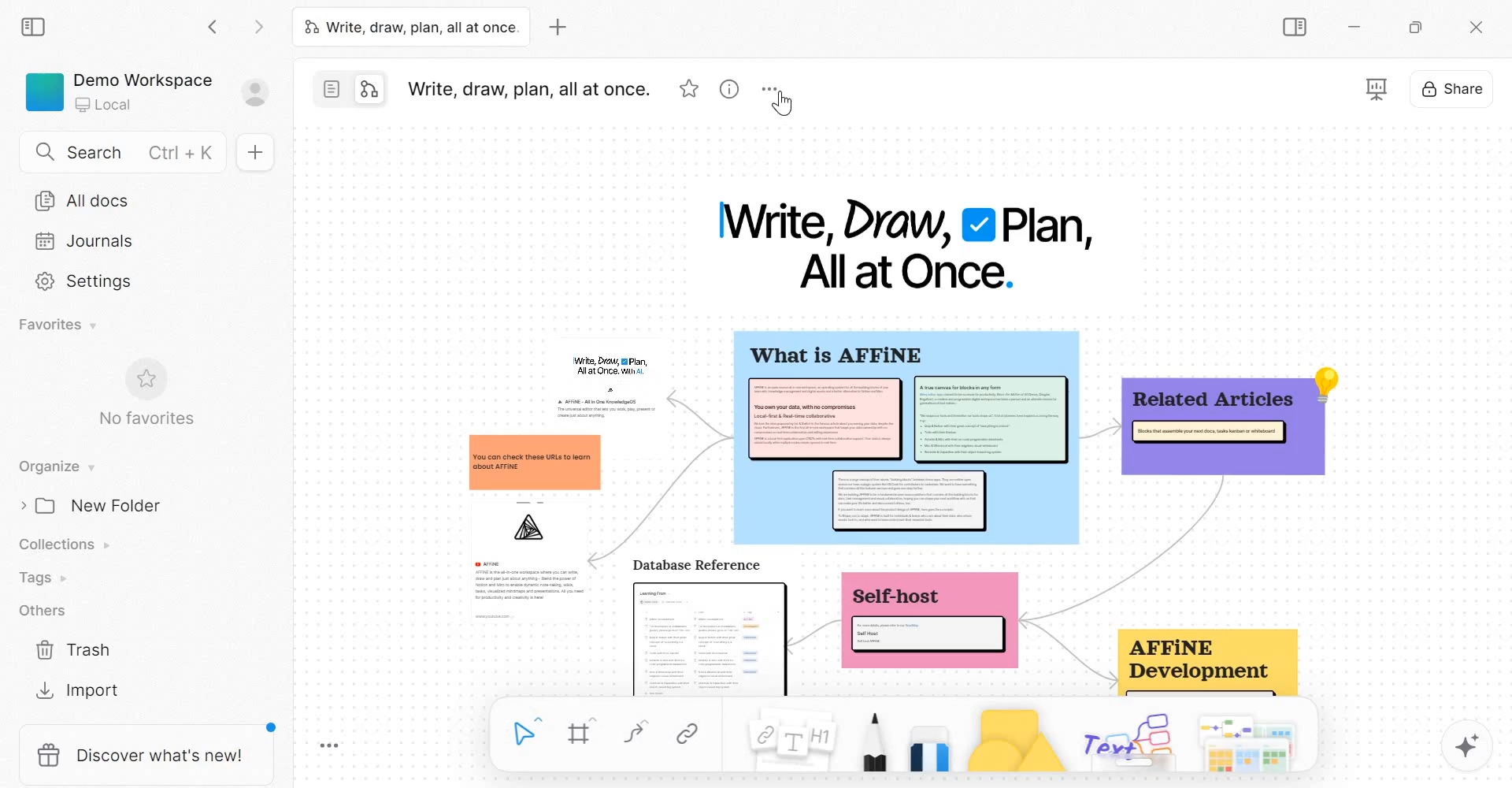 This screenshot has width=1512, height=788. I want to click on others, so click(1130, 741).